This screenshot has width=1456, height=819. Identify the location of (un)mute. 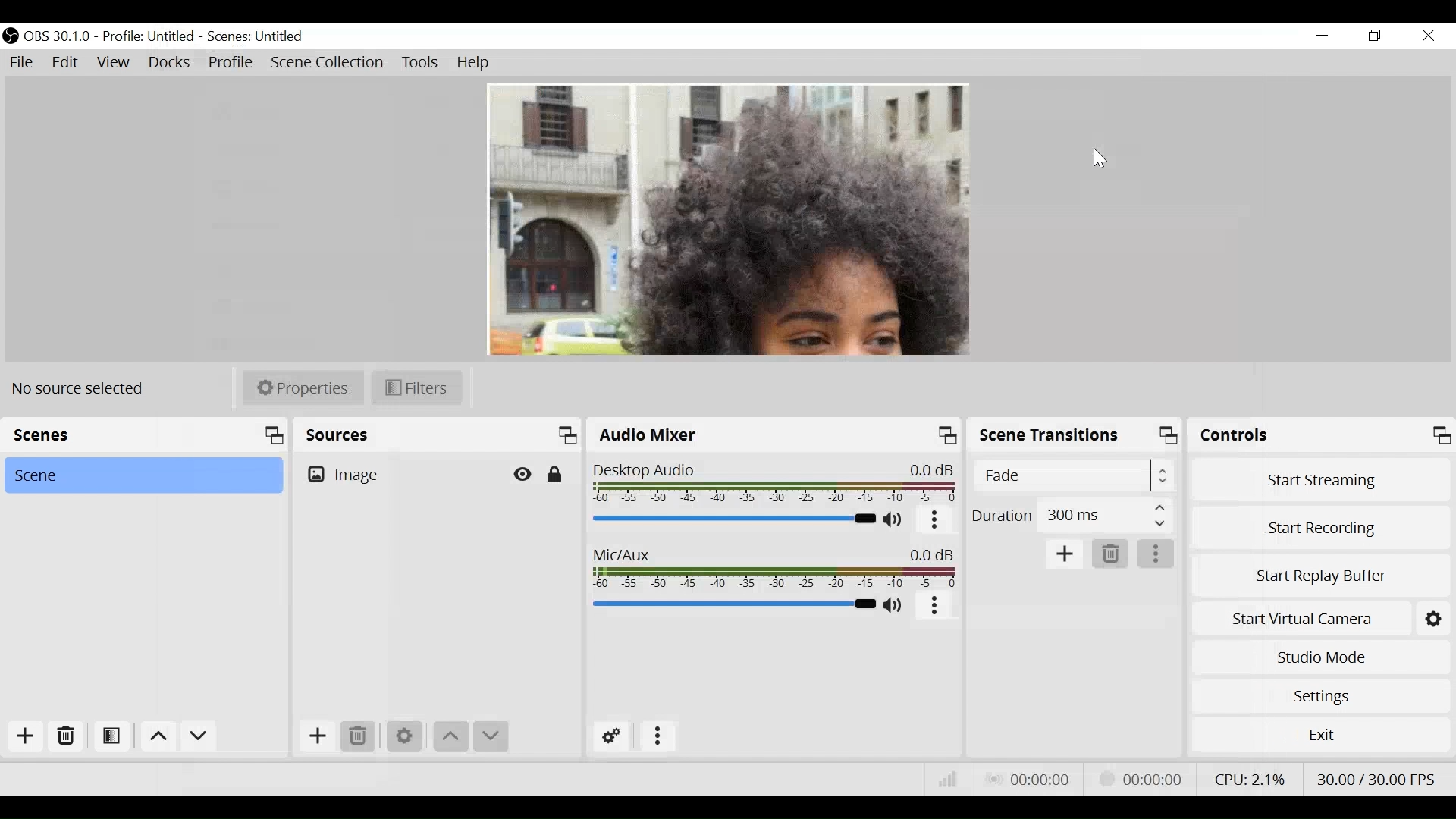
(893, 520).